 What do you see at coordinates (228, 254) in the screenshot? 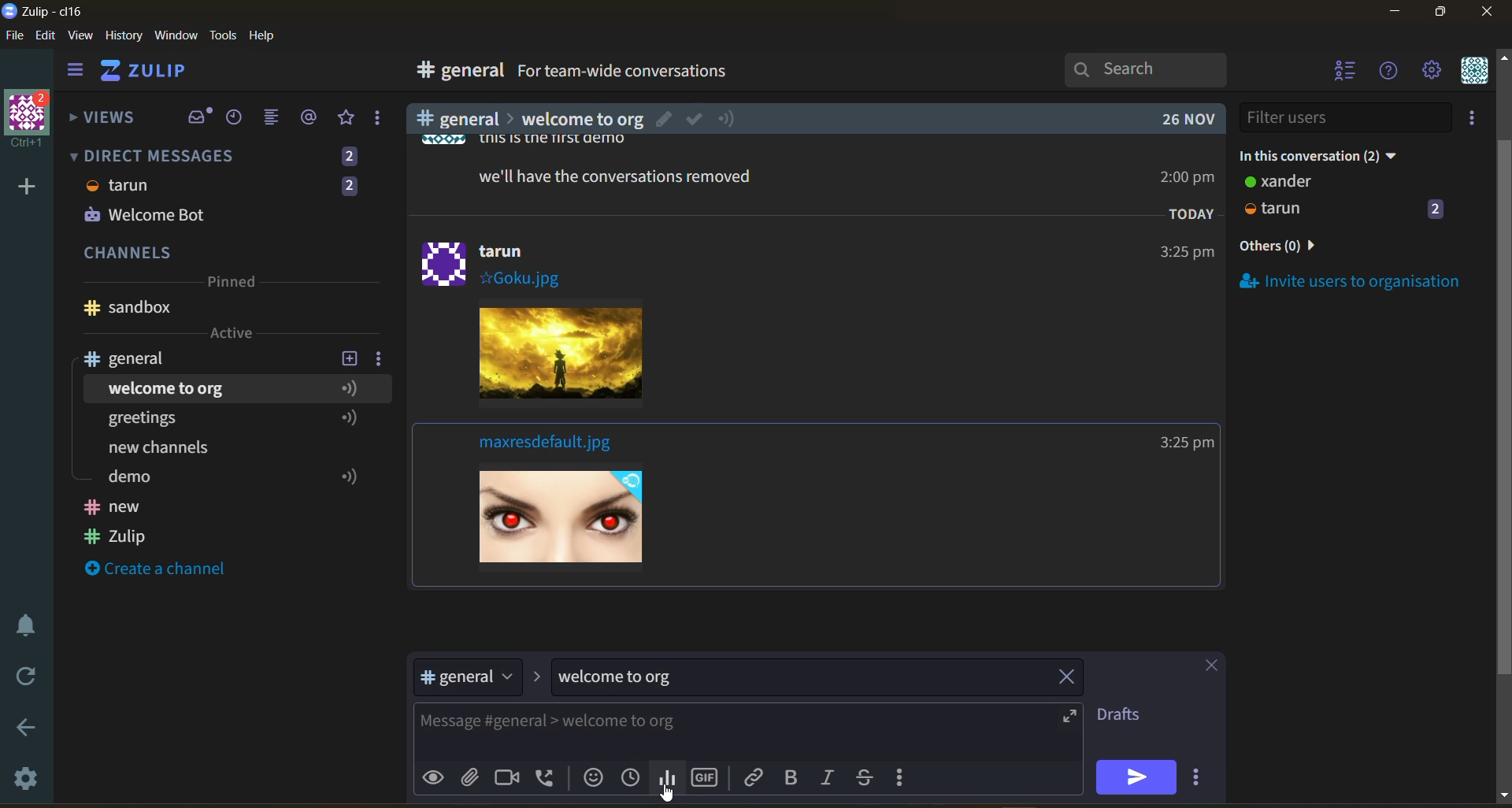
I see `channels` at bounding box center [228, 254].